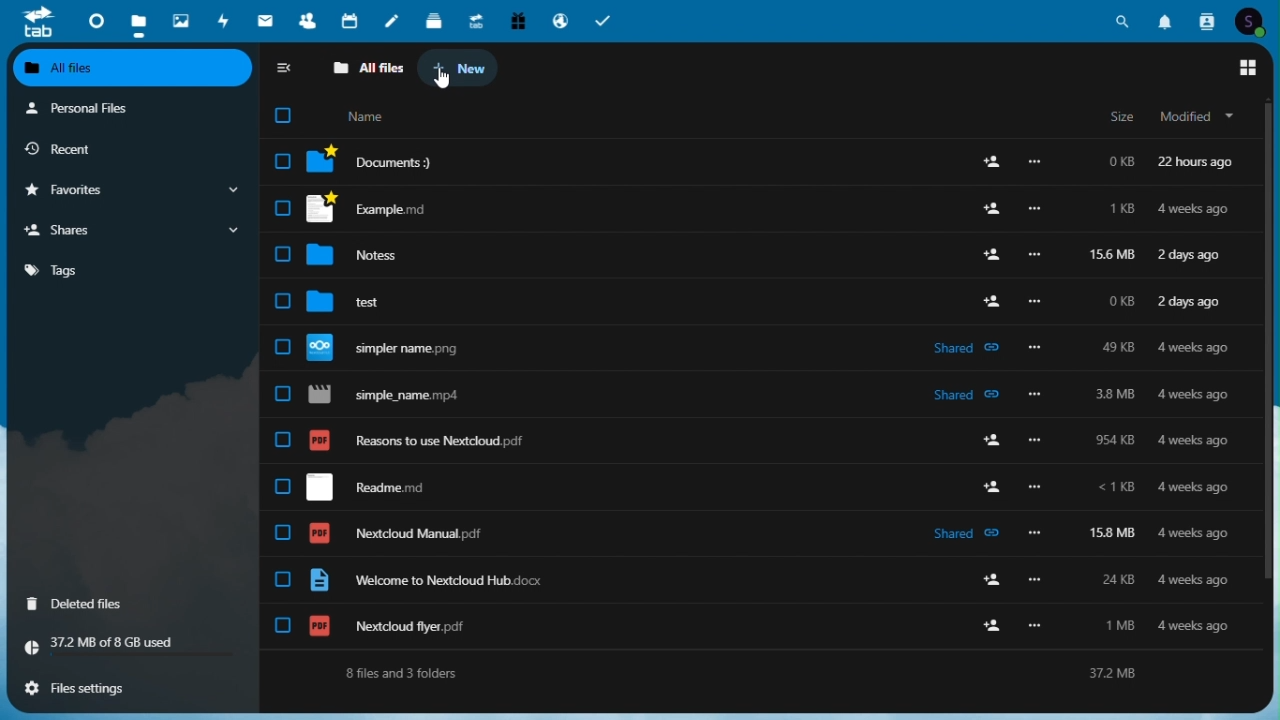 This screenshot has width=1280, height=720. Describe the element at coordinates (1196, 536) in the screenshot. I see `4 weeks ago` at that location.